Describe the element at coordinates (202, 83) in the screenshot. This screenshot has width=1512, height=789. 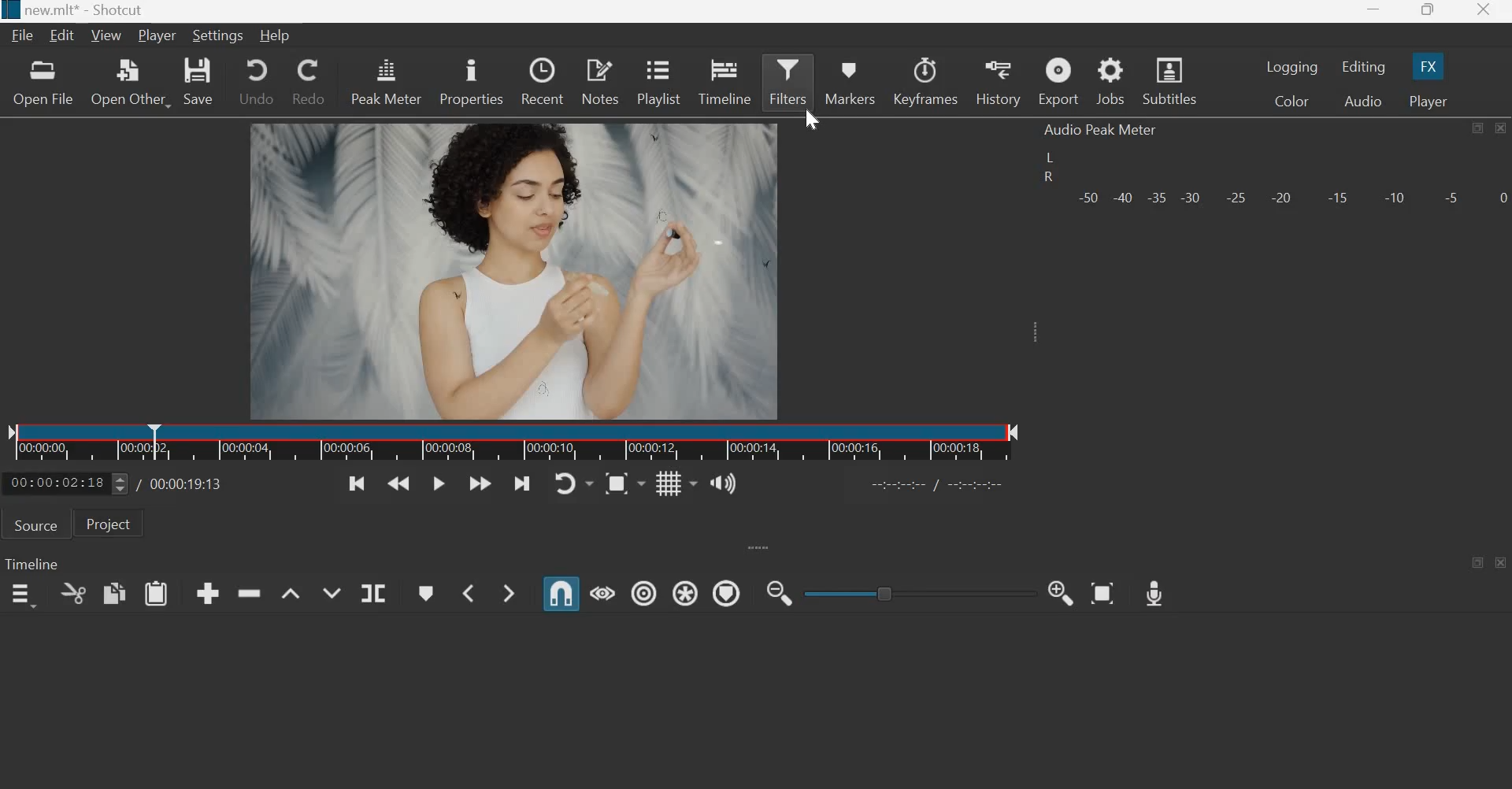
I see `save` at that location.